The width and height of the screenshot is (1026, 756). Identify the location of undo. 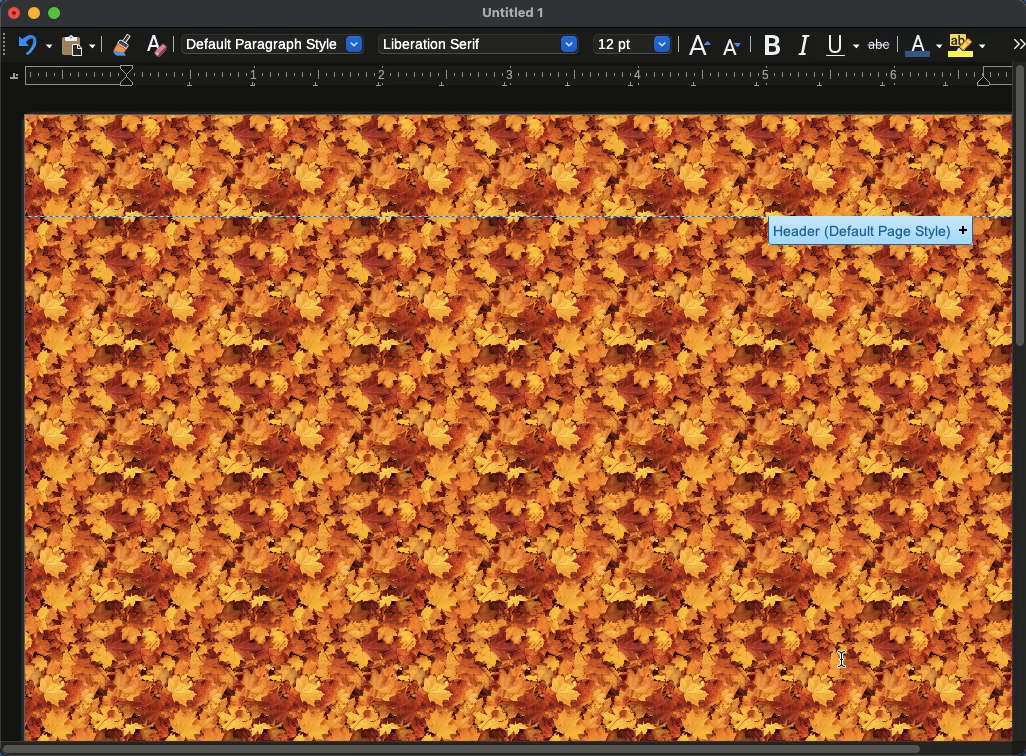
(32, 46).